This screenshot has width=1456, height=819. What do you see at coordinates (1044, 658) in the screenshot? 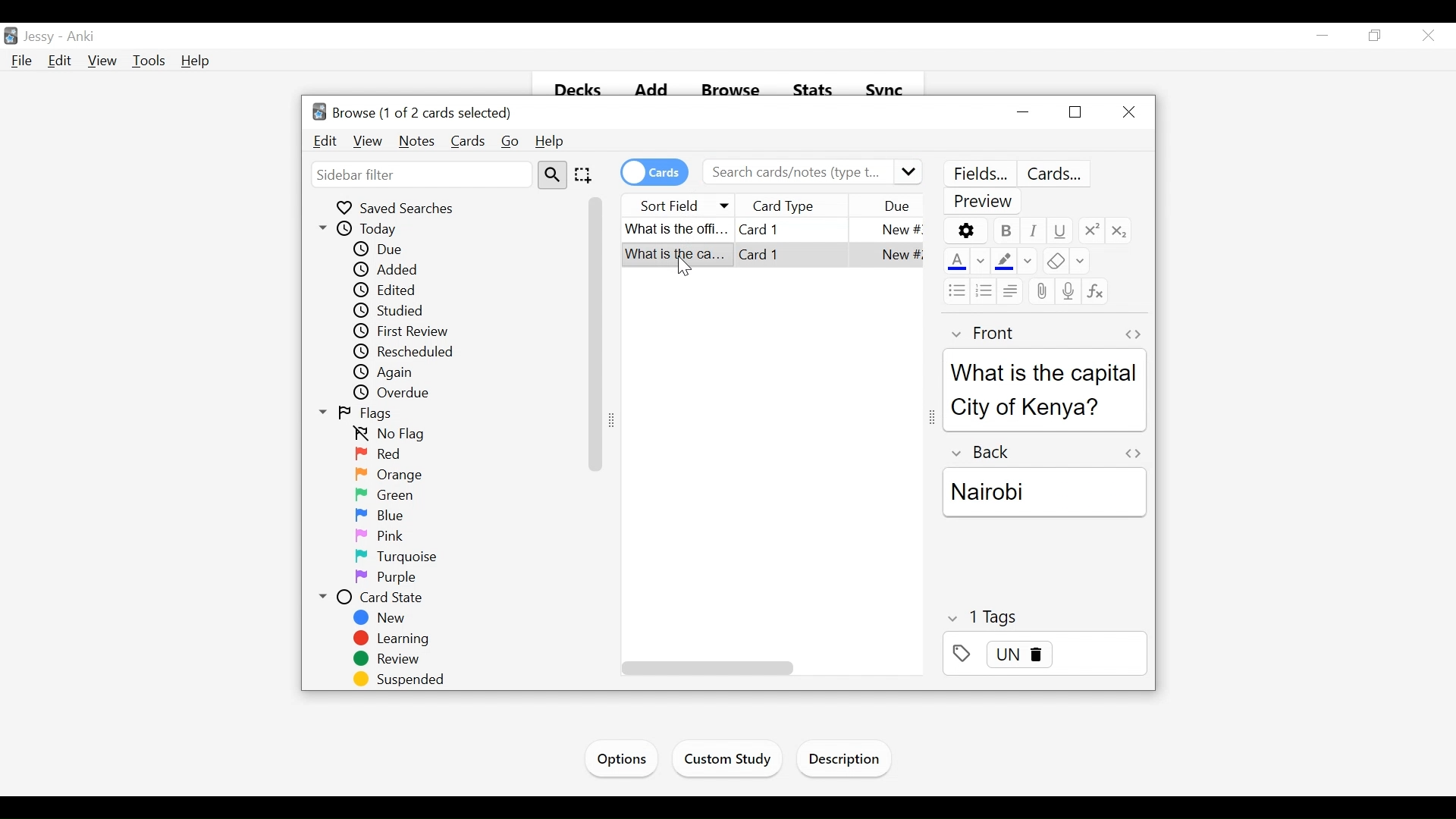
I see `Tags Field ` at bounding box center [1044, 658].